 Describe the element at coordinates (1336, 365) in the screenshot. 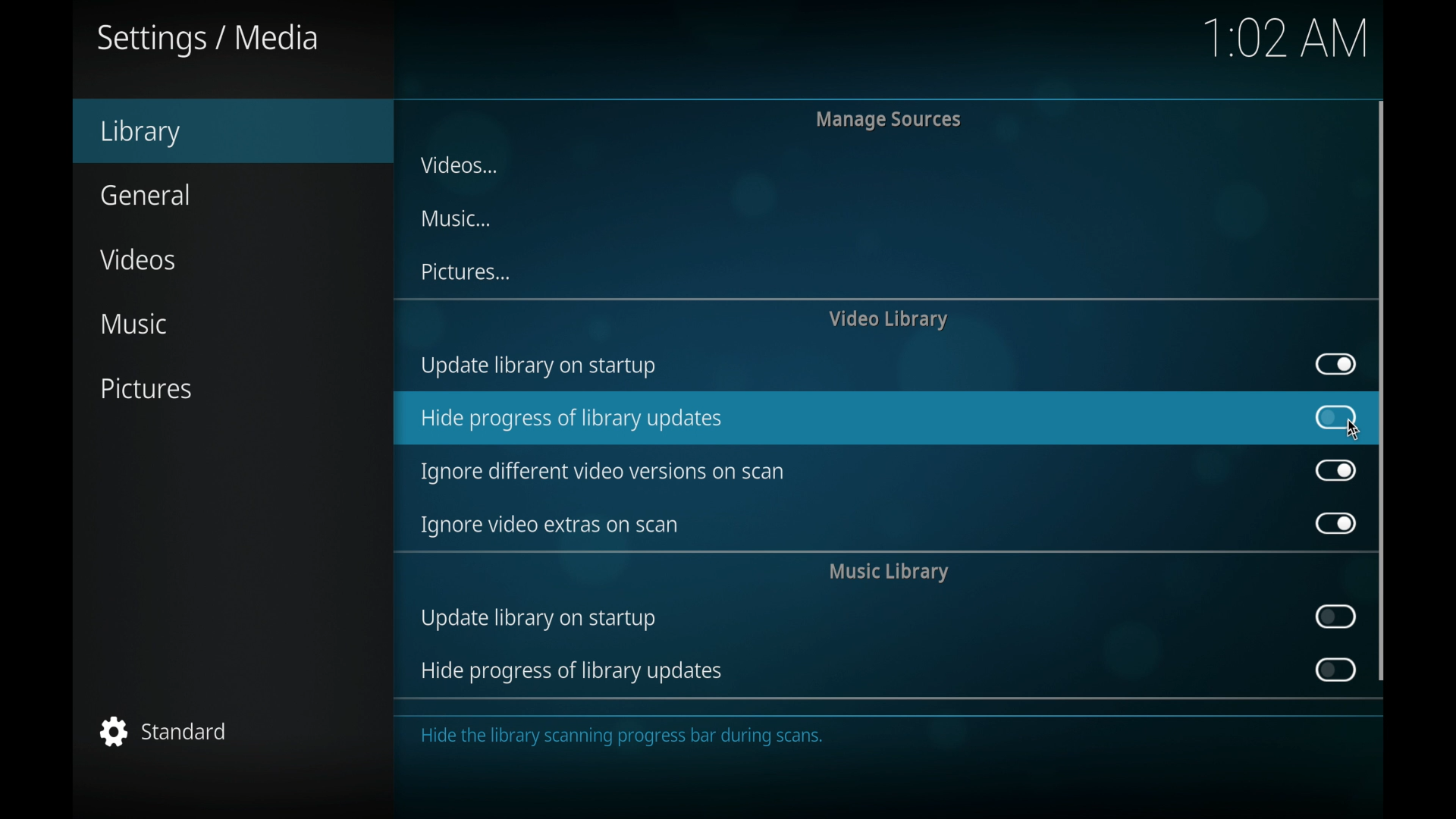

I see `toggle button` at that location.